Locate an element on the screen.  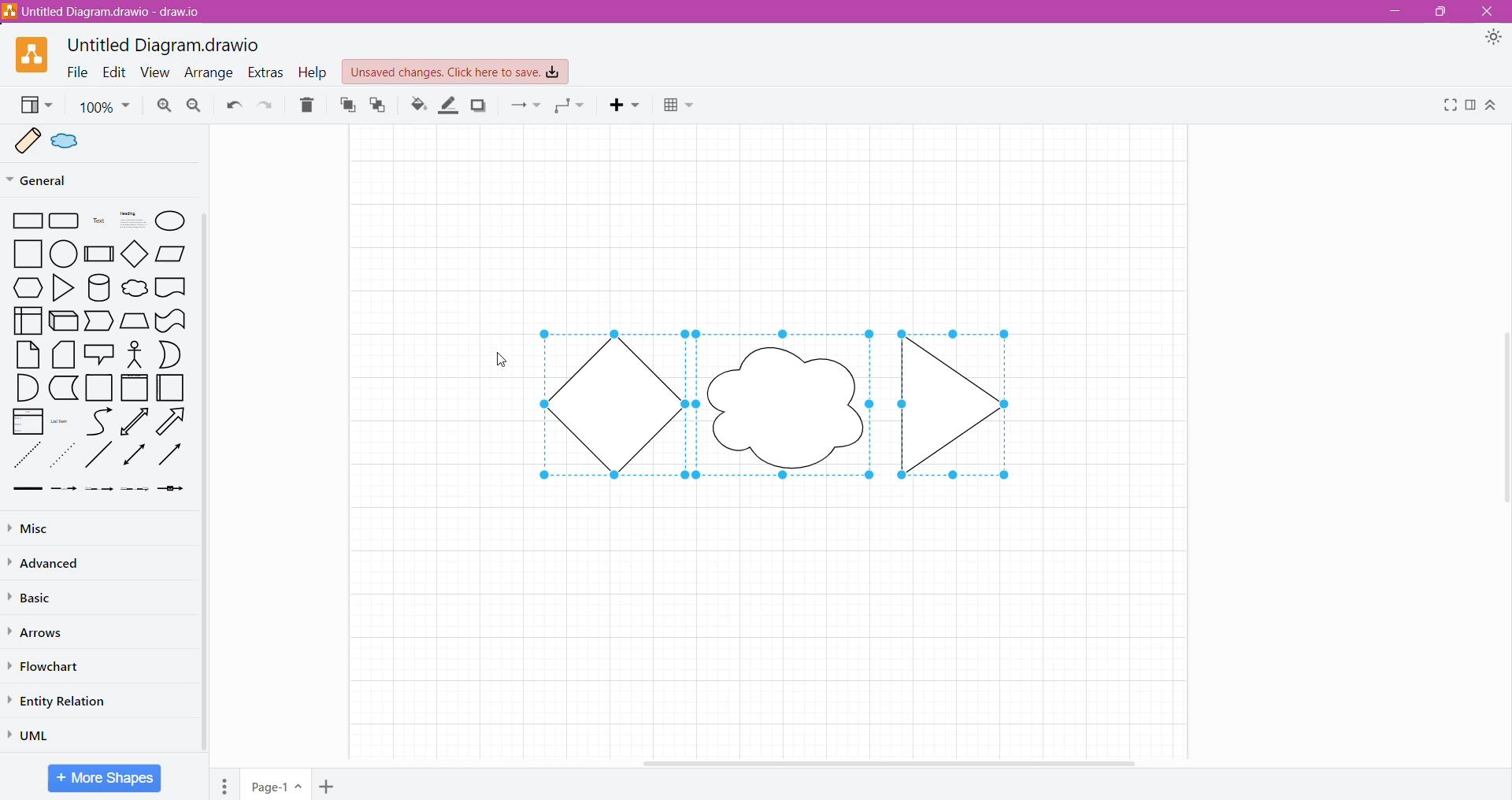
View is located at coordinates (35, 106).